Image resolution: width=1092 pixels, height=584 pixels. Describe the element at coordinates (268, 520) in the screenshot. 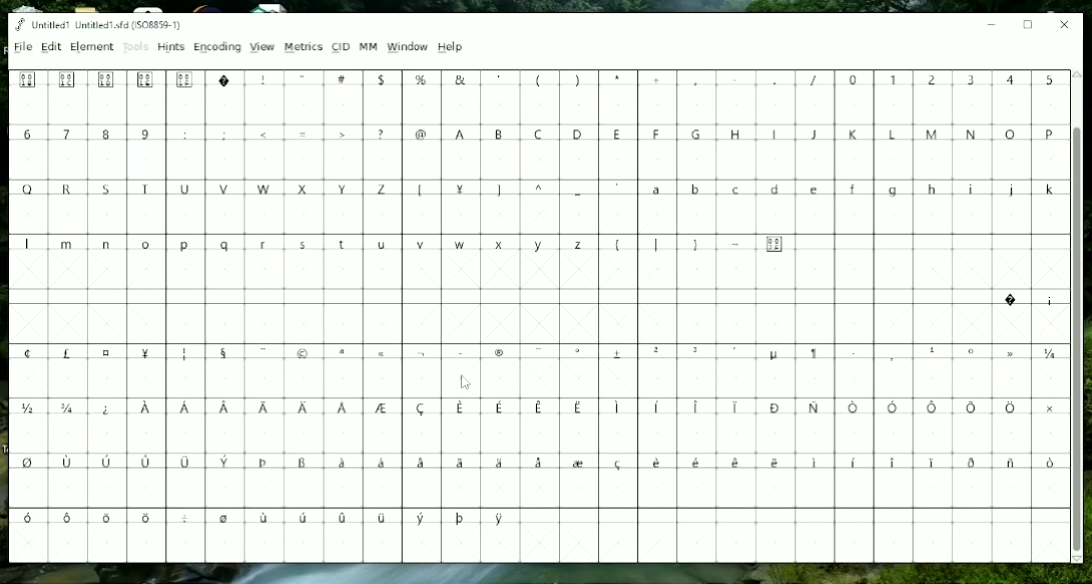

I see `Symbols` at that location.